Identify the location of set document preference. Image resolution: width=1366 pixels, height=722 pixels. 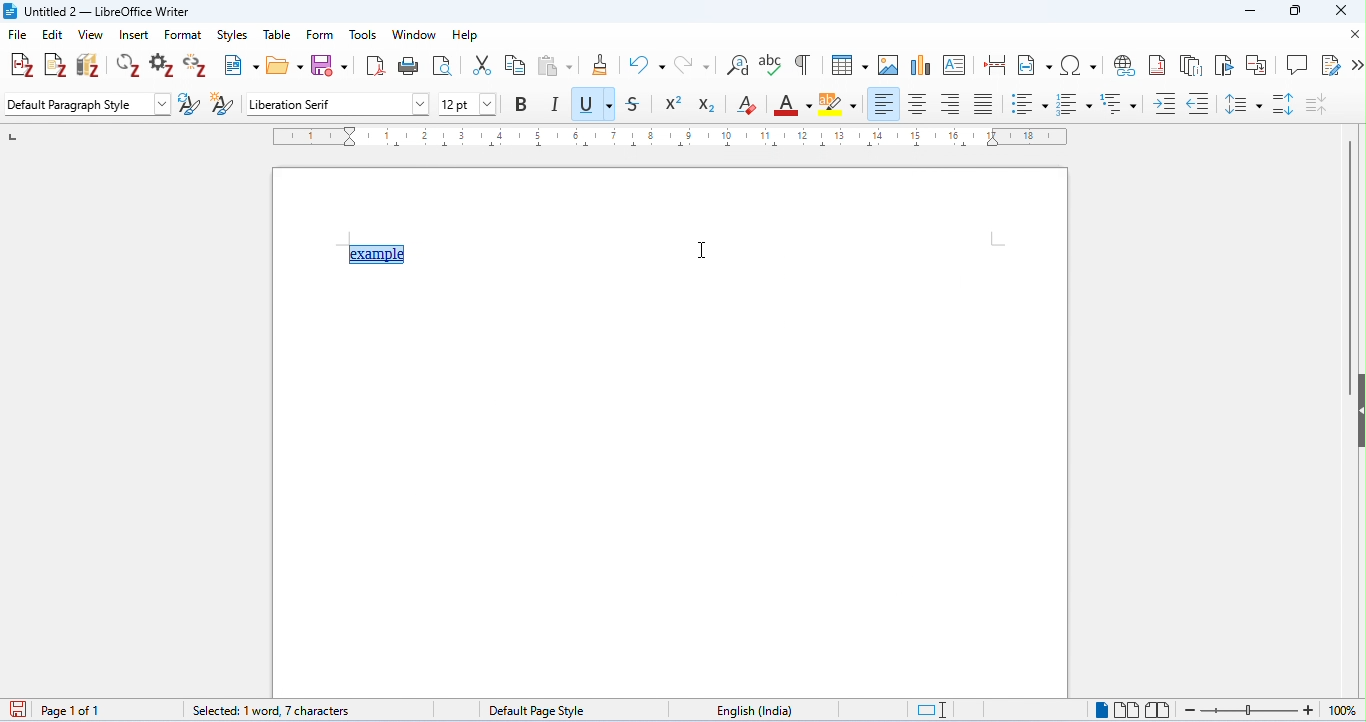
(164, 65).